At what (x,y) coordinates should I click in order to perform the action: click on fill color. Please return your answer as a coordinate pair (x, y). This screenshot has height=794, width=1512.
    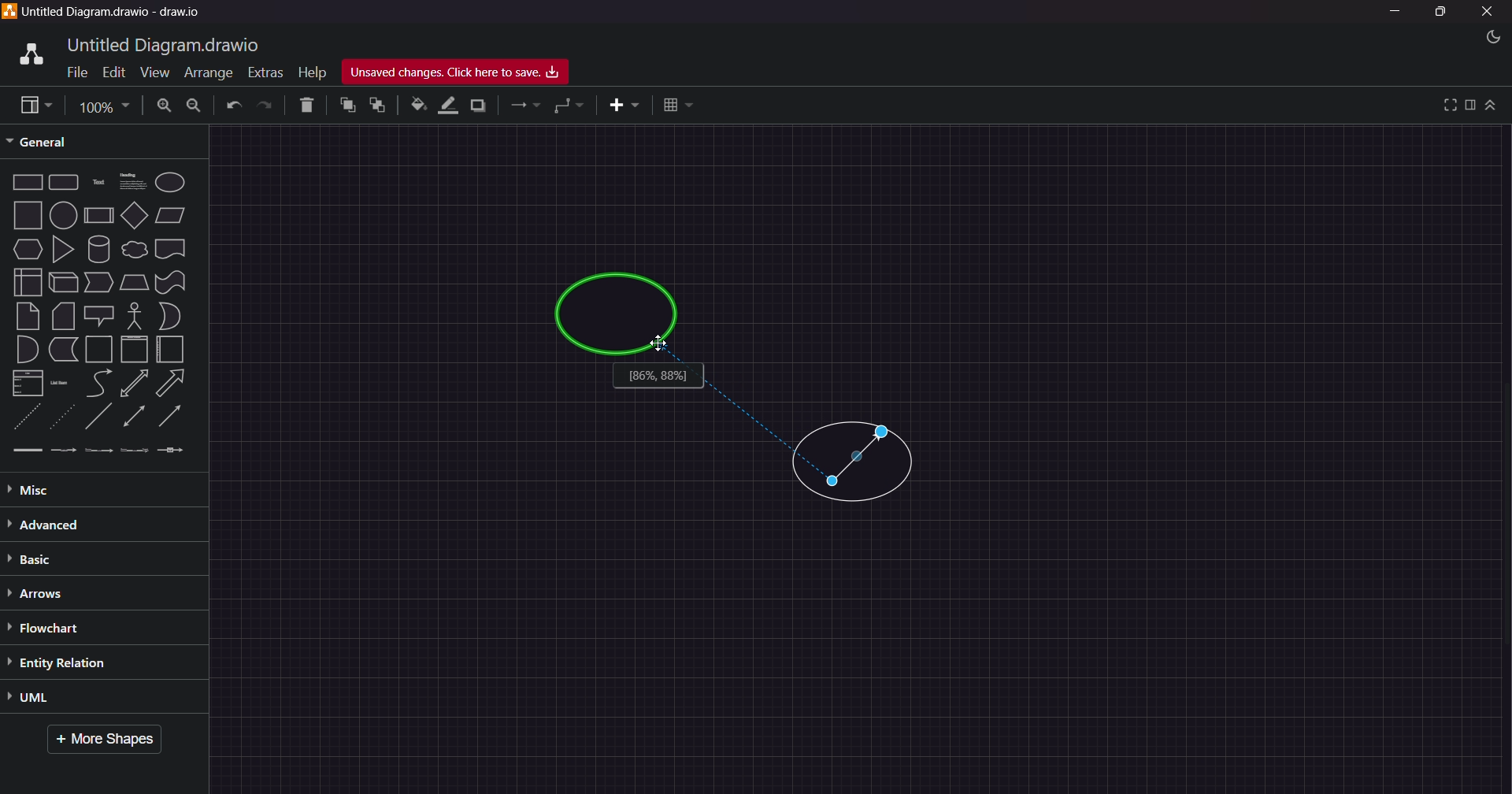
    Looking at the image, I should click on (417, 105).